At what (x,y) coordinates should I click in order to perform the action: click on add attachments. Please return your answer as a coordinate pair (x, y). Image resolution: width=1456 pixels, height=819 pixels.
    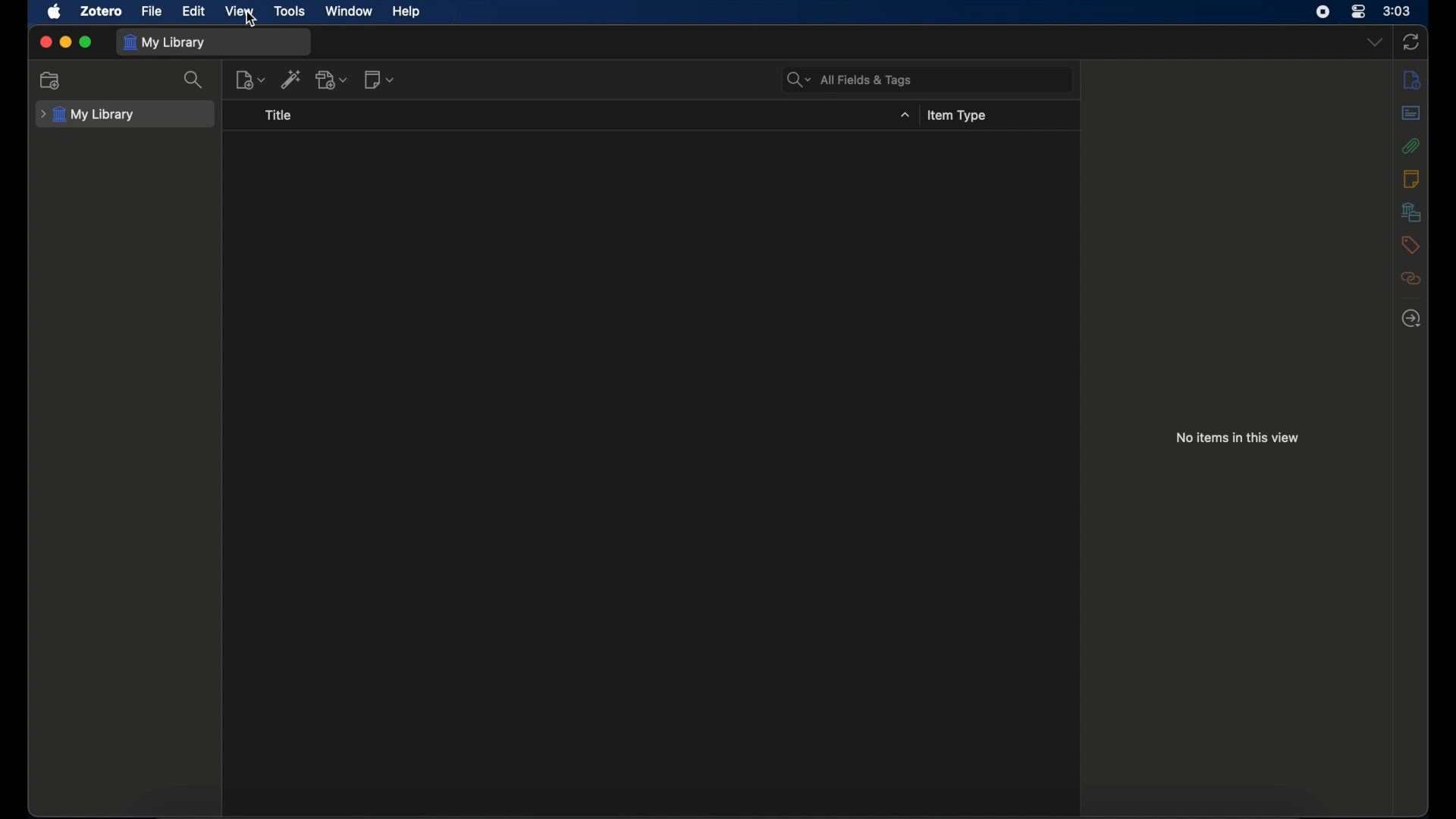
    Looking at the image, I should click on (333, 80).